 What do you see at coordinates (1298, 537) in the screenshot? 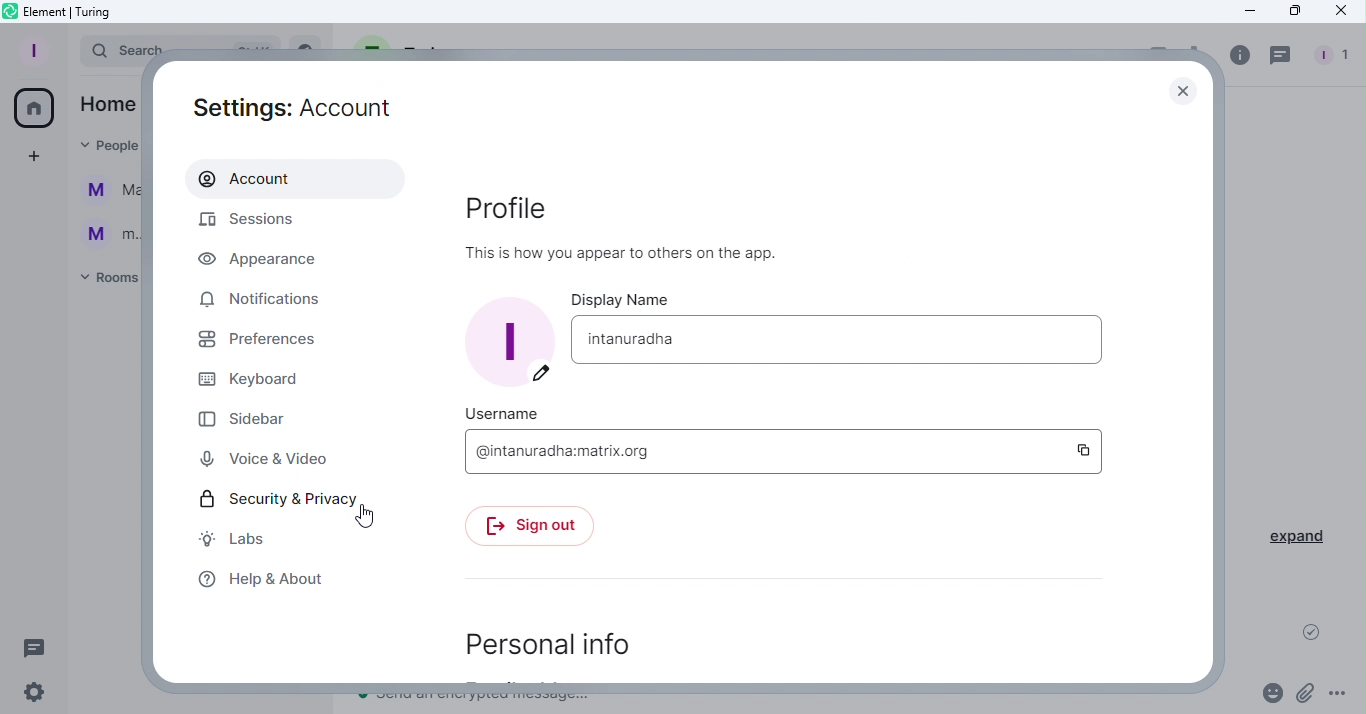
I see `Expand` at bounding box center [1298, 537].